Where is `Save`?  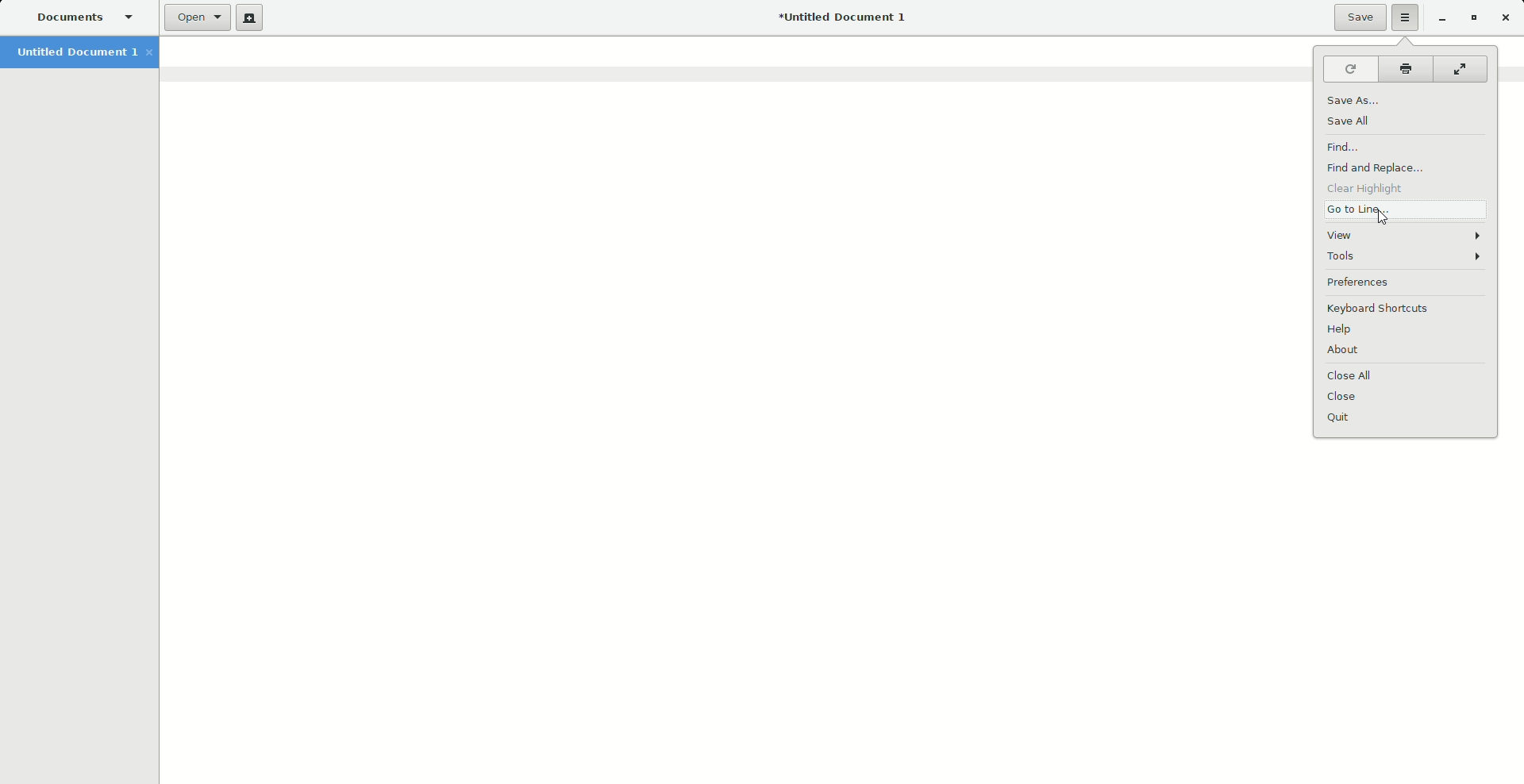 Save is located at coordinates (1359, 17).